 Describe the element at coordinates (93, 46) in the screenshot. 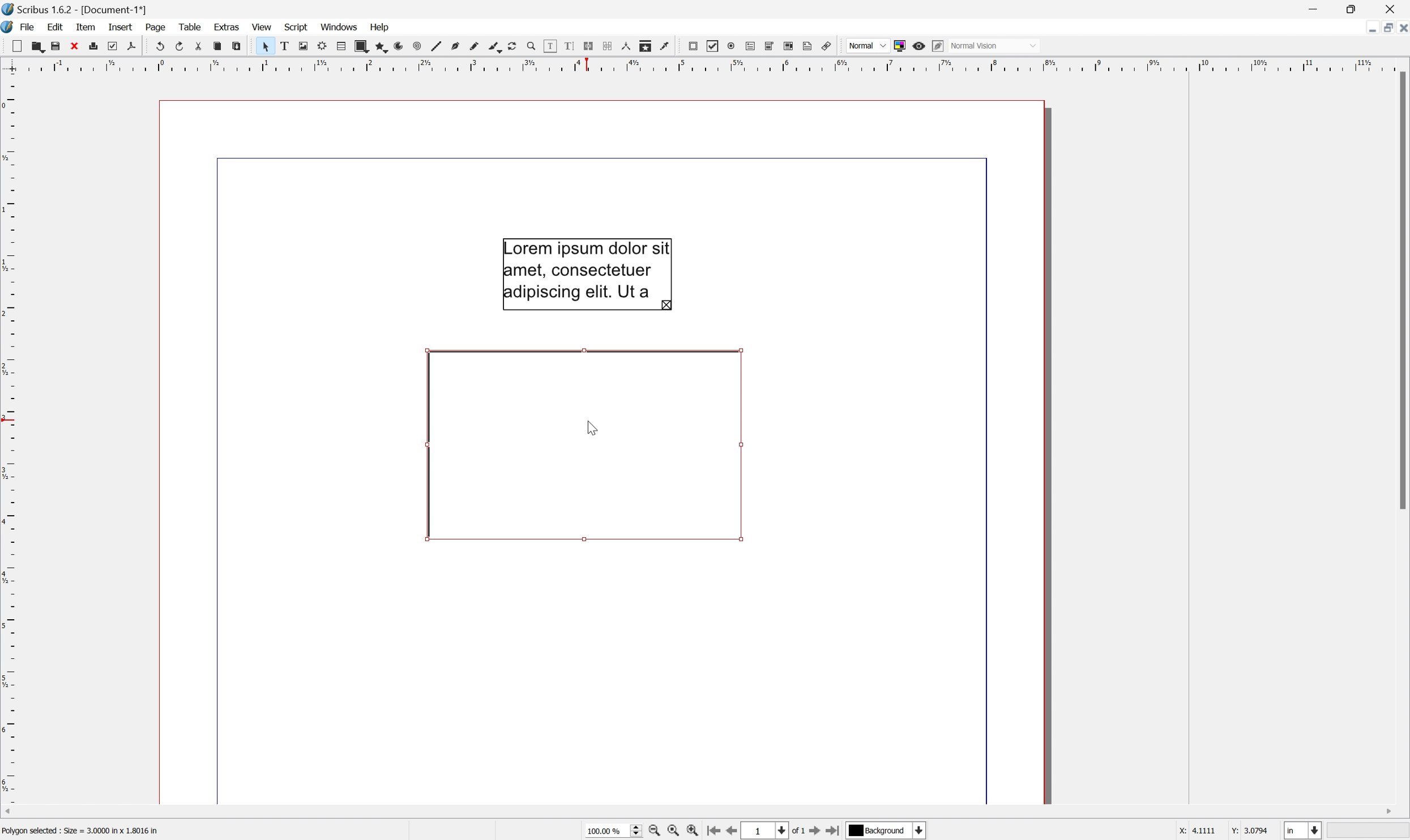

I see `Print` at that location.